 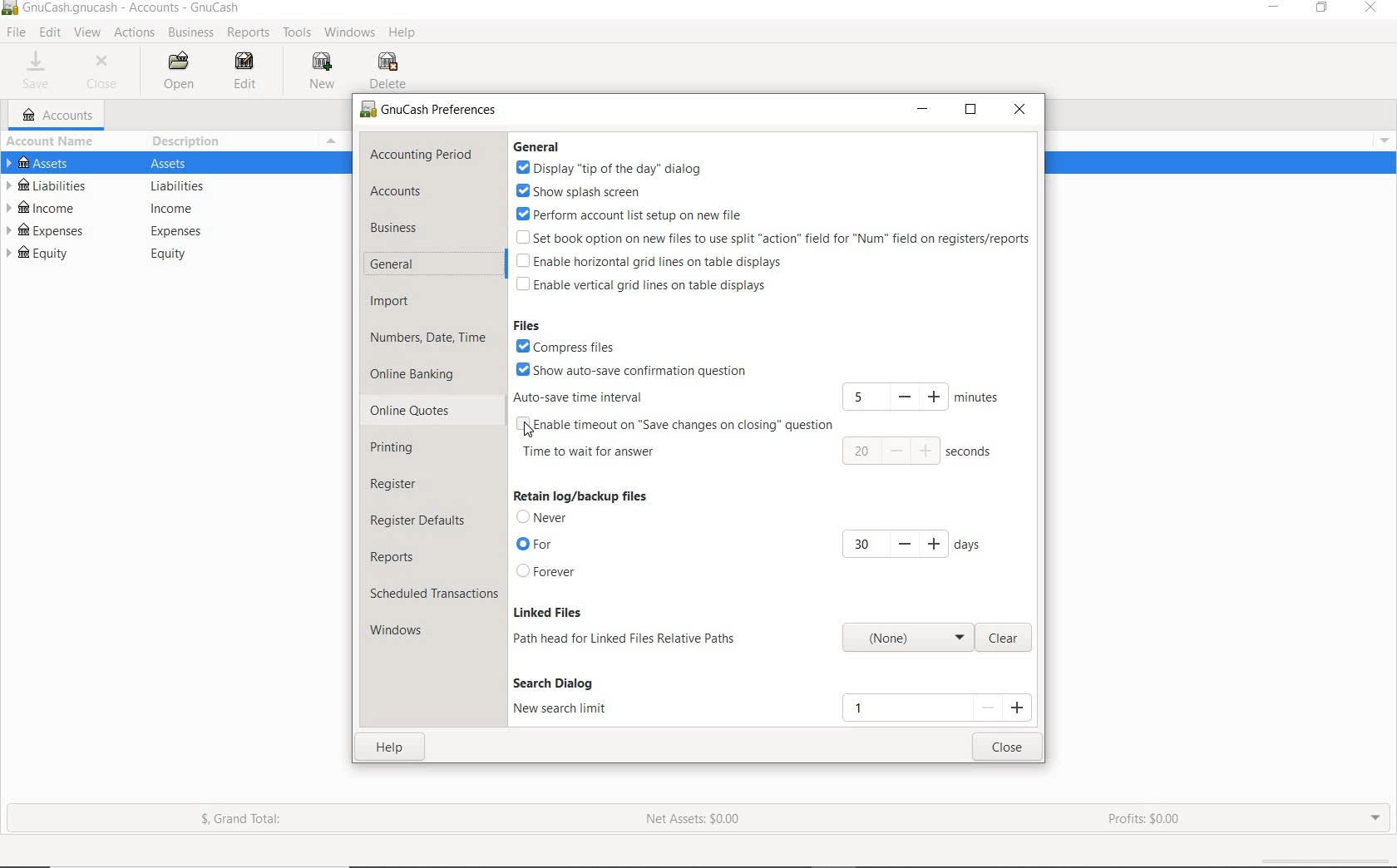 What do you see at coordinates (632, 215) in the screenshot?
I see `perform account list setup on new file` at bounding box center [632, 215].